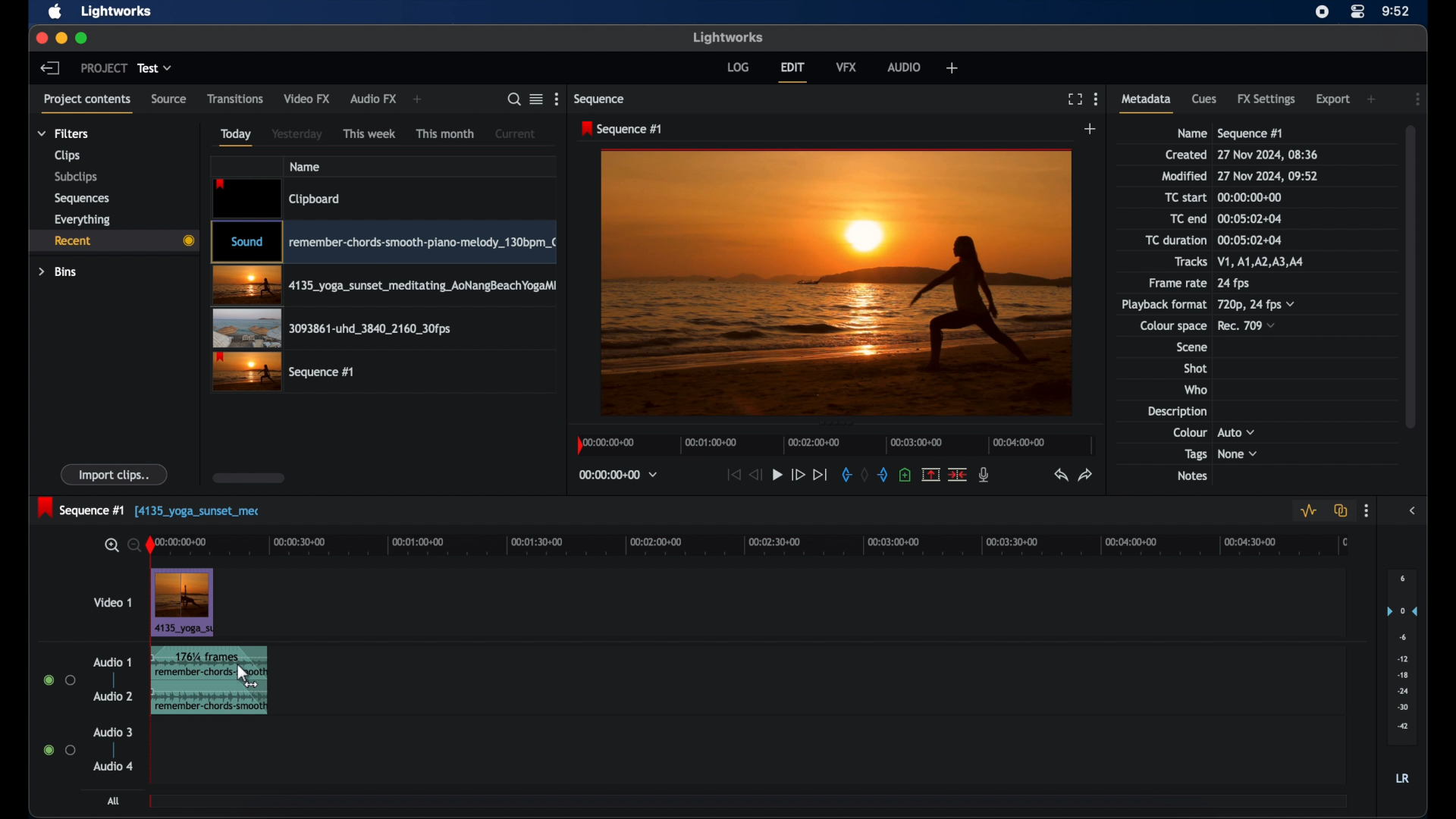 The height and width of the screenshot is (819, 1456). I want to click on TC end, so click(1178, 218).